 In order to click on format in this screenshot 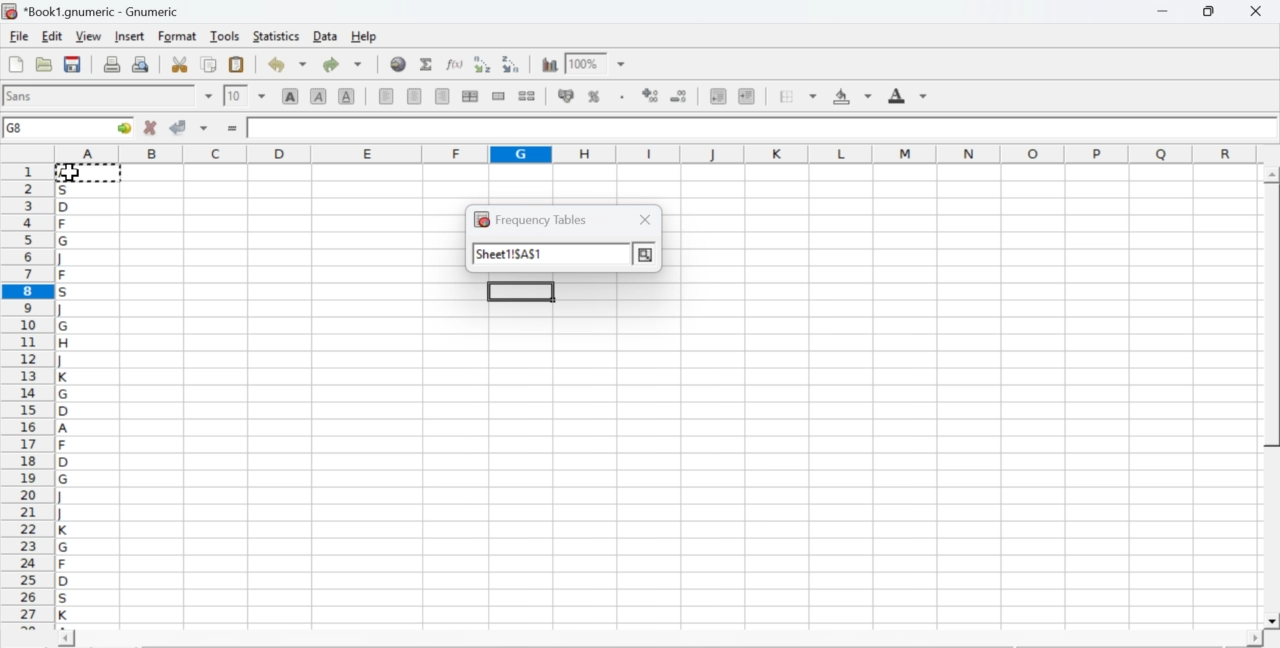, I will do `click(178, 36)`.